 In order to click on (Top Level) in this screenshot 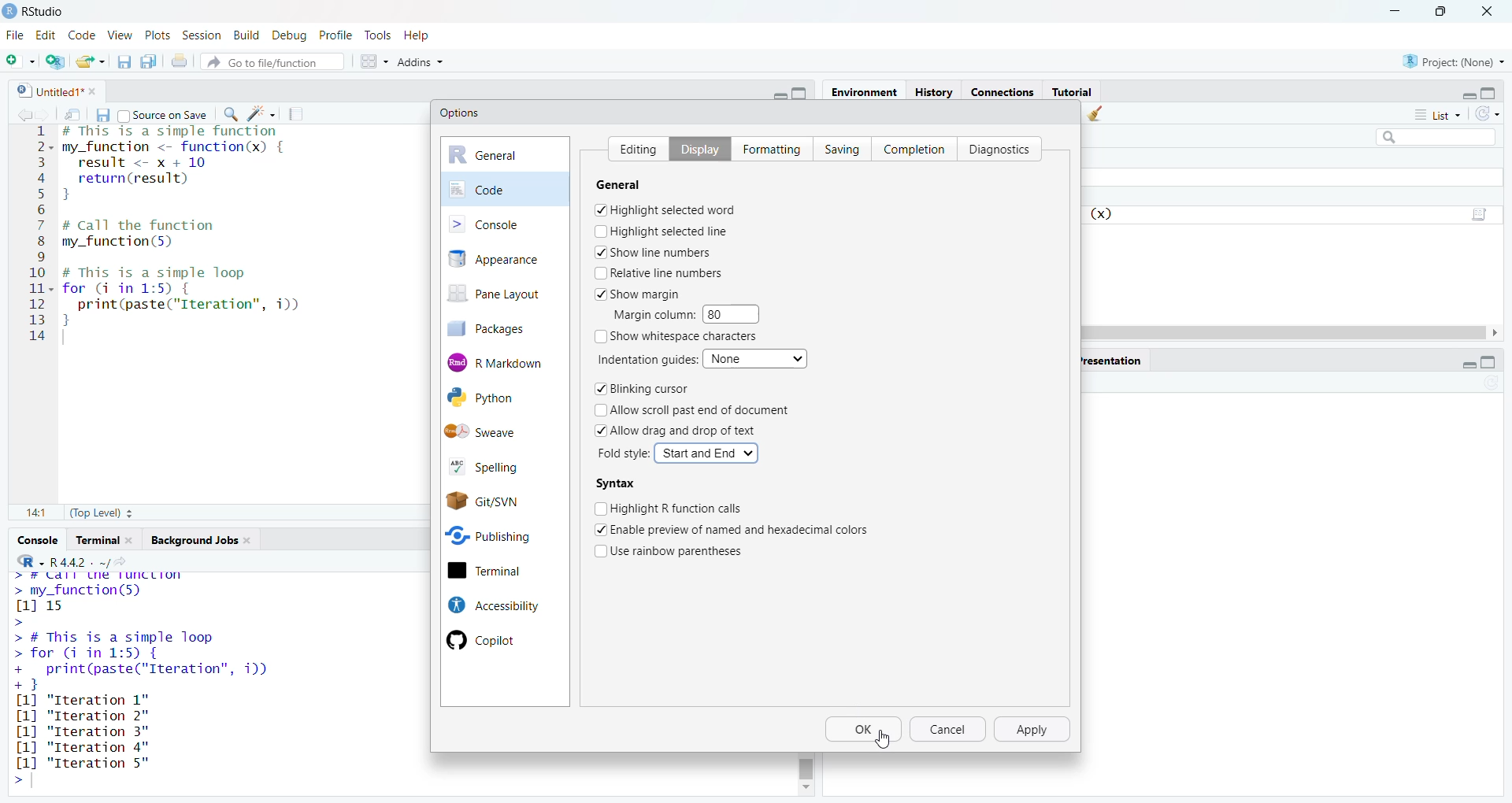, I will do `click(99, 515)`.